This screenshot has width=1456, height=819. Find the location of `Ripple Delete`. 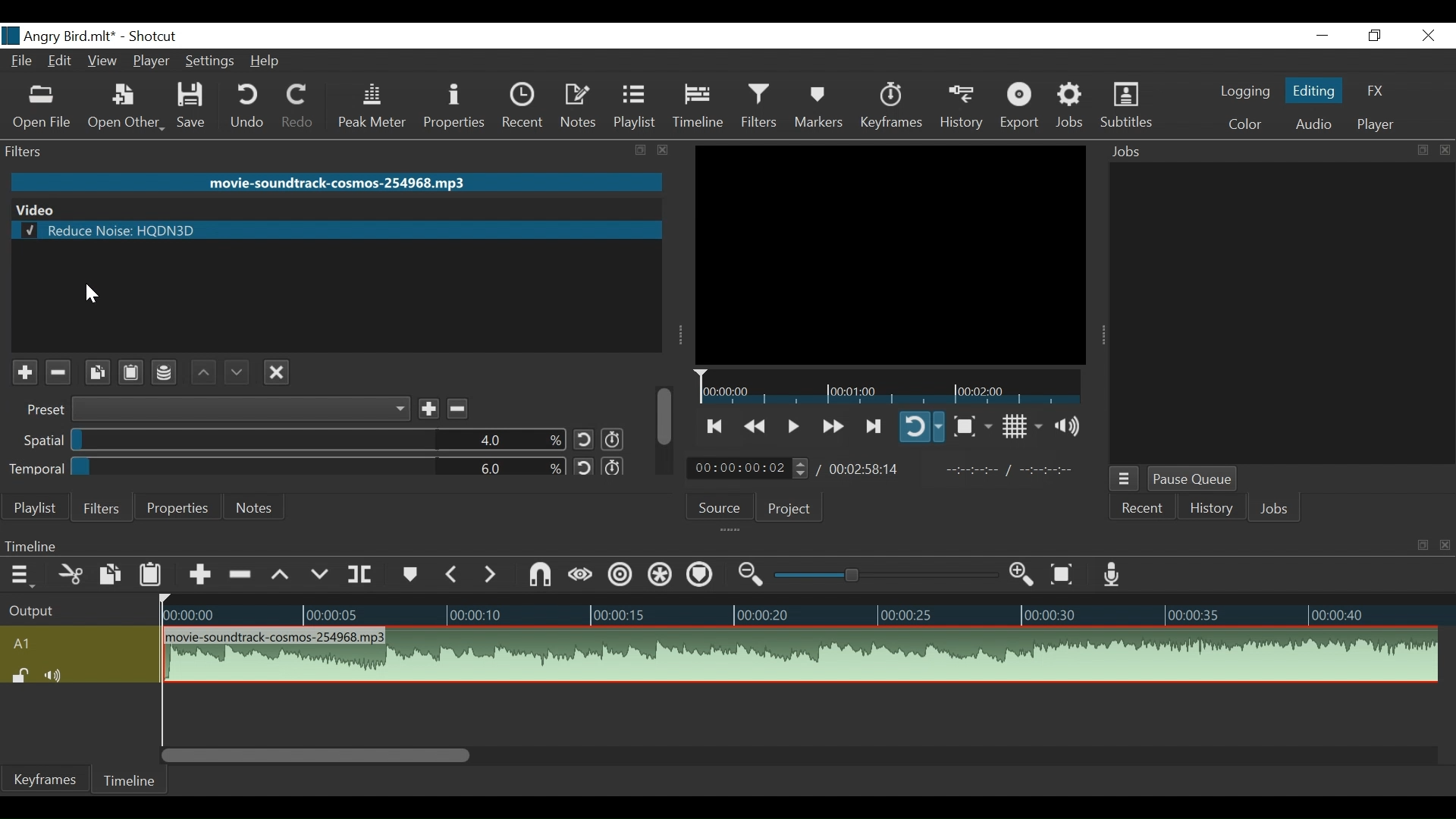

Ripple Delete is located at coordinates (242, 574).